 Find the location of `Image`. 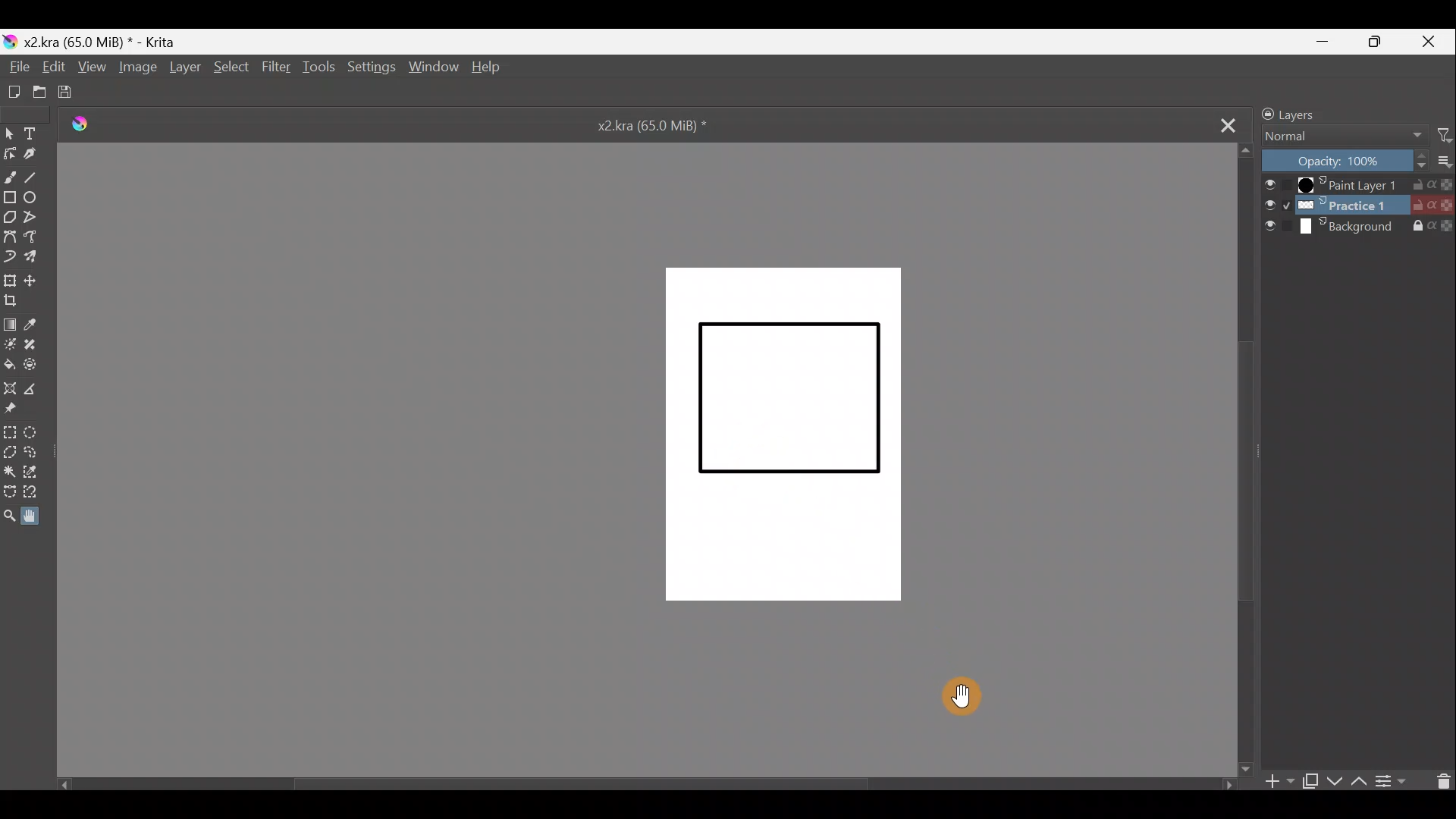

Image is located at coordinates (140, 71).